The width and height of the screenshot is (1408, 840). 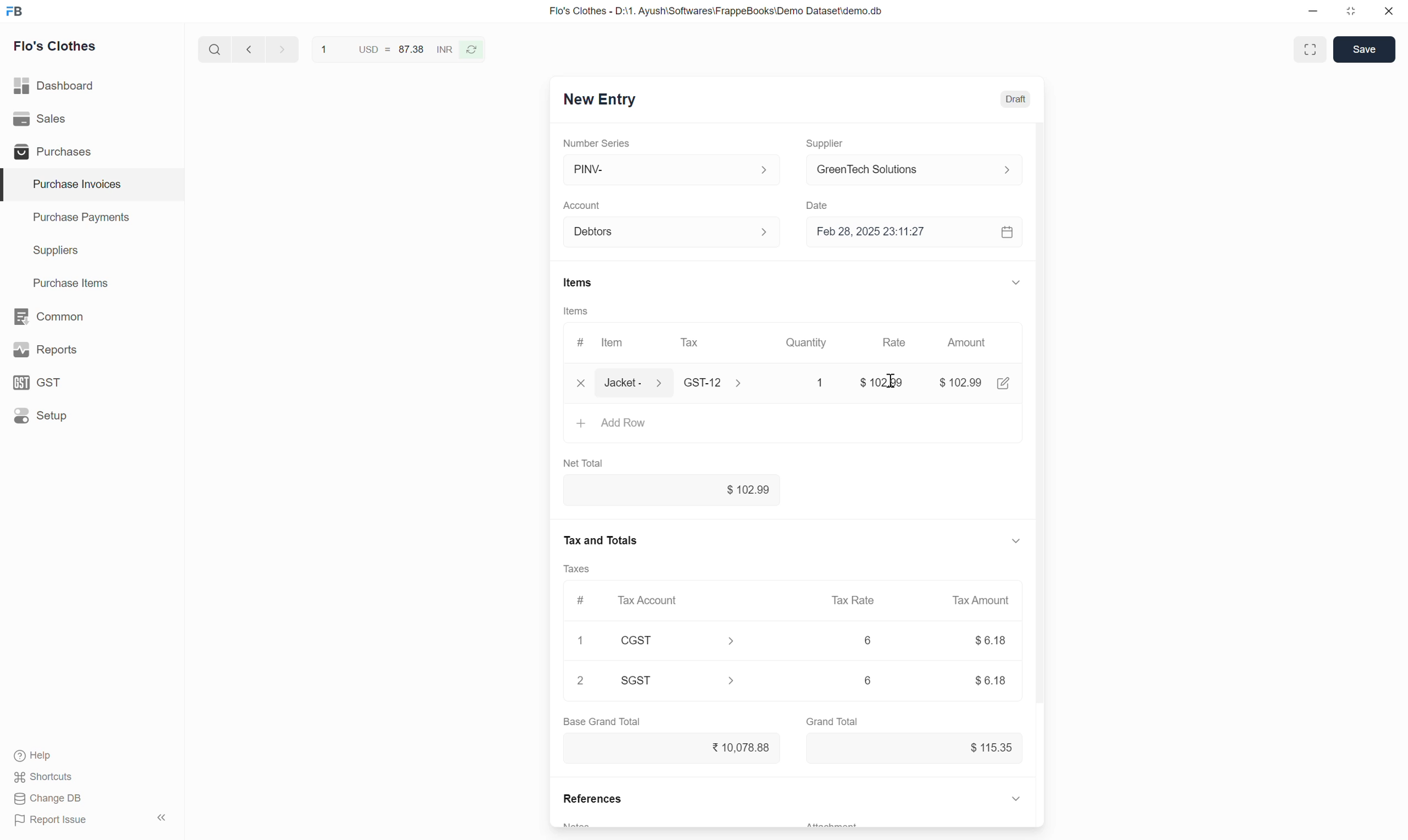 What do you see at coordinates (49, 799) in the screenshot?
I see `Change DB` at bounding box center [49, 799].